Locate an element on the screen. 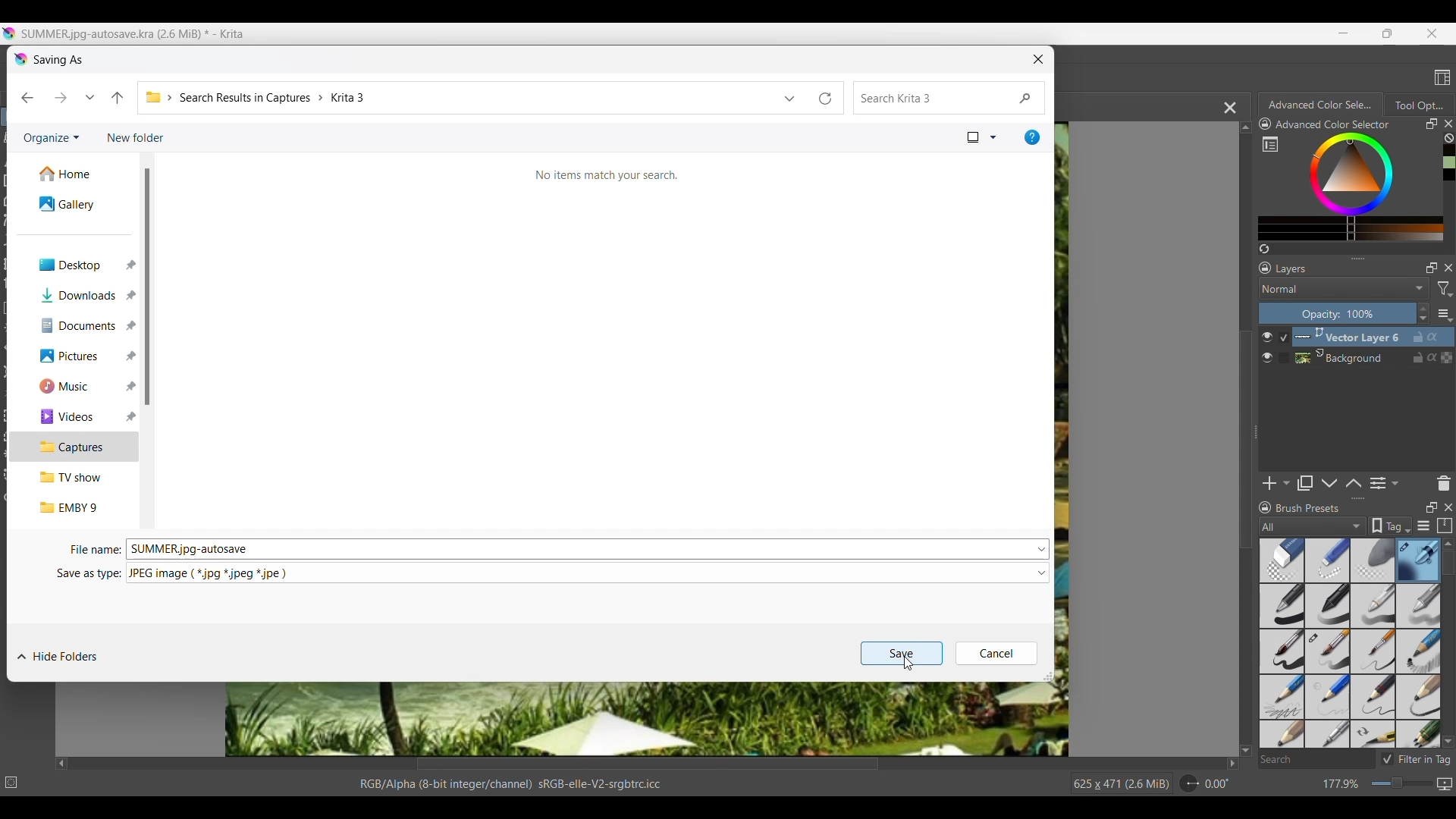 Image resolution: width=1456 pixels, height=819 pixels. Refresh folder is located at coordinates (828, 98).